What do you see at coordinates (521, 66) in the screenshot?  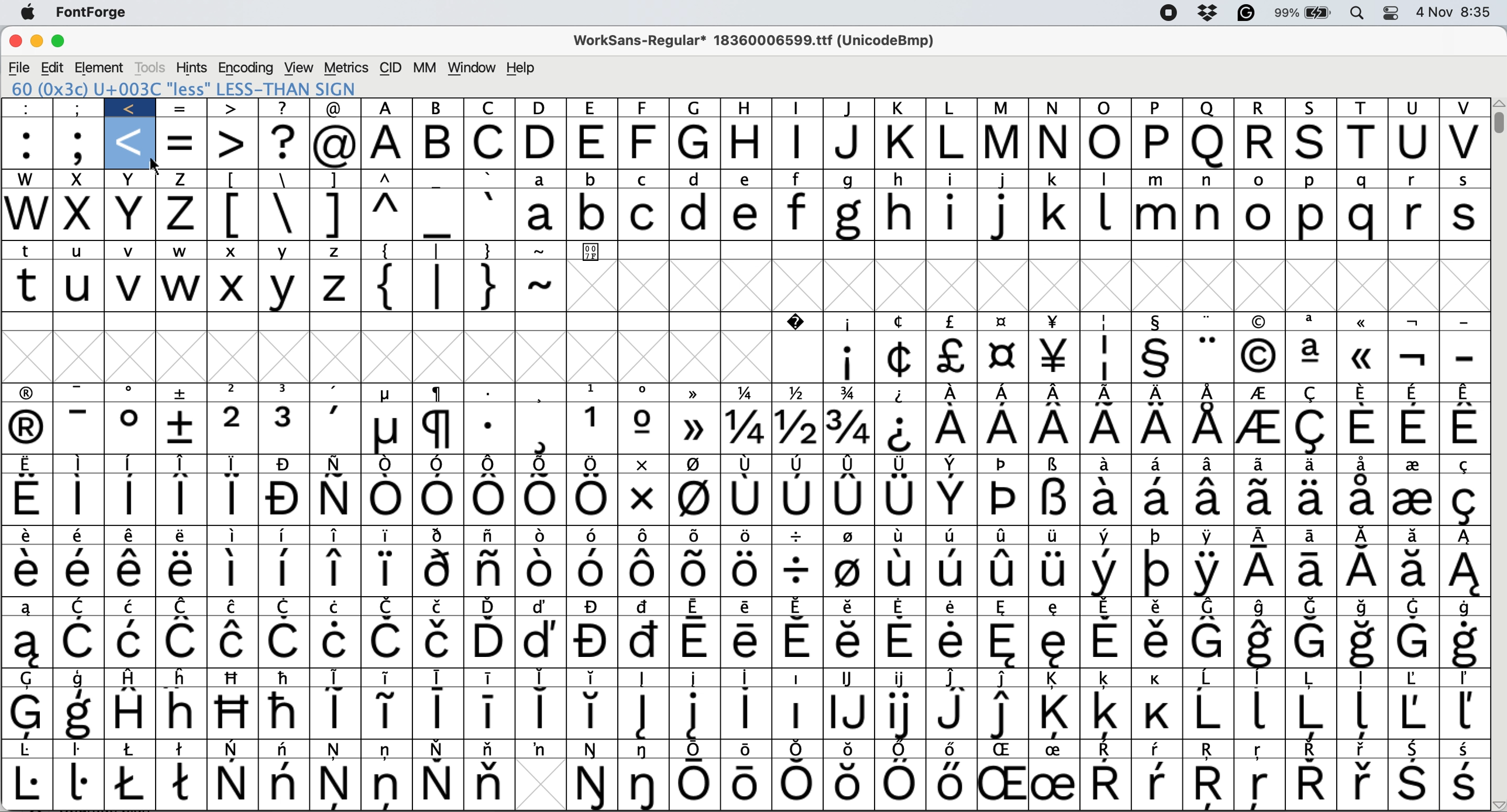 I see `help` at bounding box center [521, 66].